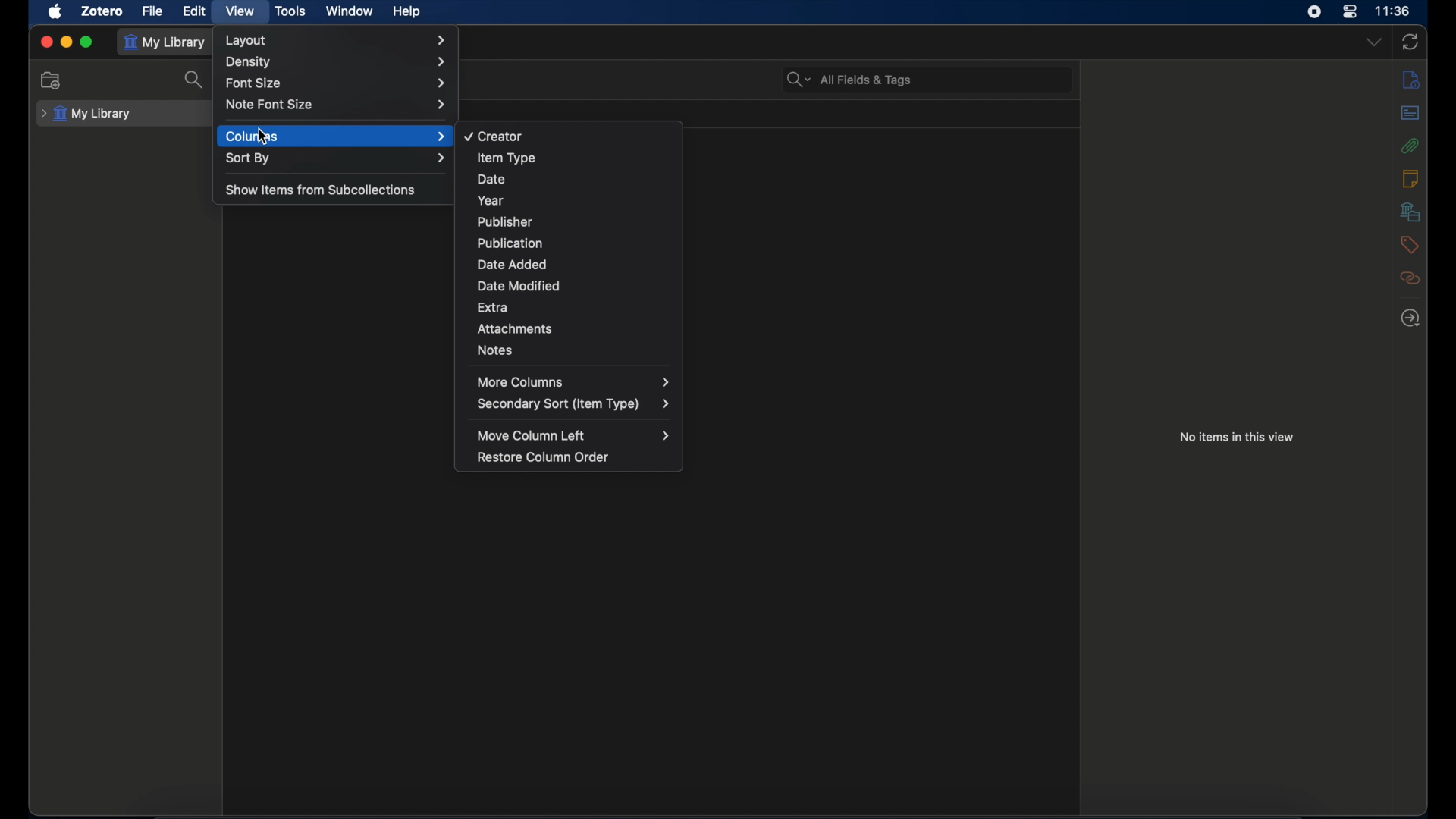 Image resolution: width=1456 pixels, height=819 pixels. What do you see at coordinates (336, 158) in the screenshot?
I see `sort by` at bounding box center [336, 158].